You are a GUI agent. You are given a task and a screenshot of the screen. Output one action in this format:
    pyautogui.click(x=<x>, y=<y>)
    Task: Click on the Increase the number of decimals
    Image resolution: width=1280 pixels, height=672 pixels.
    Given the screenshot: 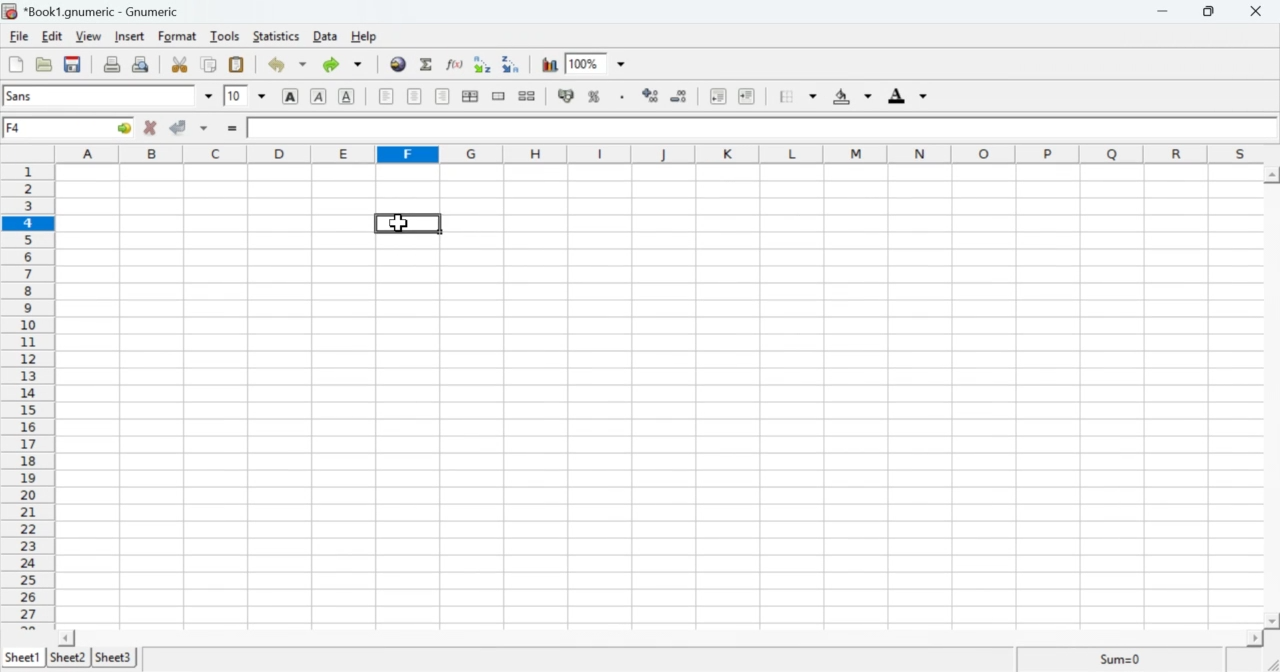 What is the action you would take?
    pyautogui.click(x=650, y=94)
    